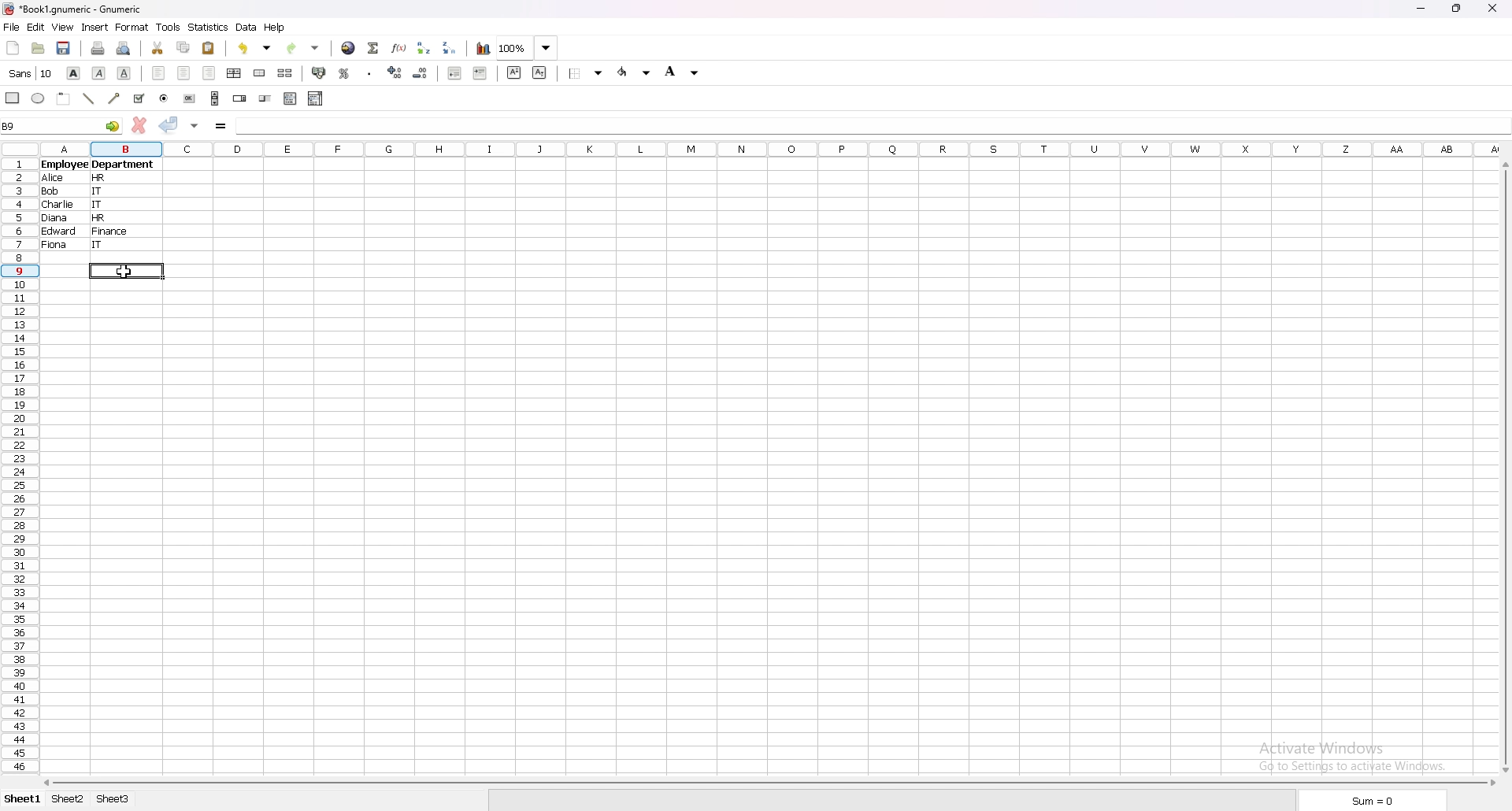  I want to click on hr, so click(98, 220).